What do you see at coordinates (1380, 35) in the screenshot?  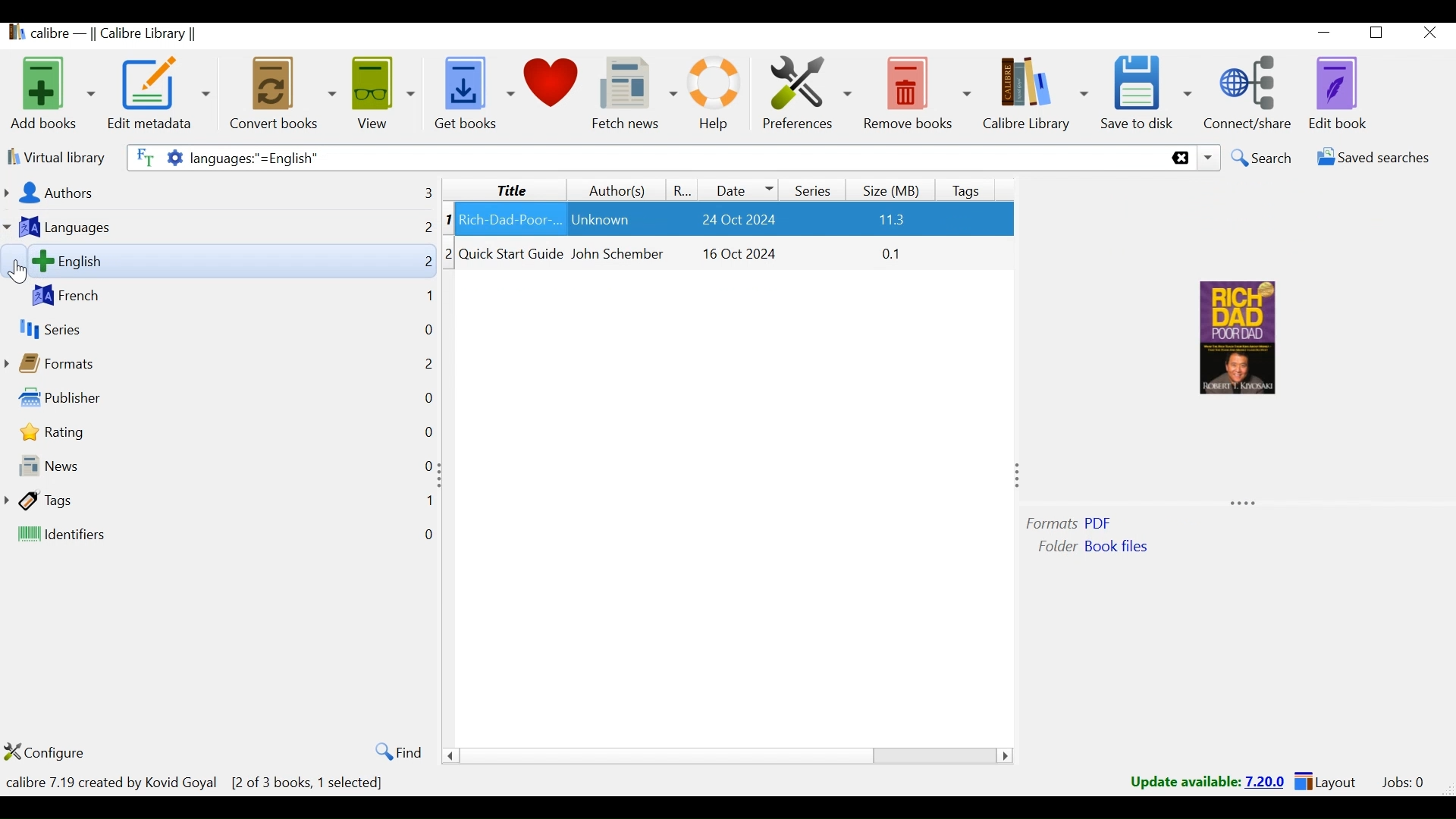 I see `Restore` at bounding box center [1380, 35].